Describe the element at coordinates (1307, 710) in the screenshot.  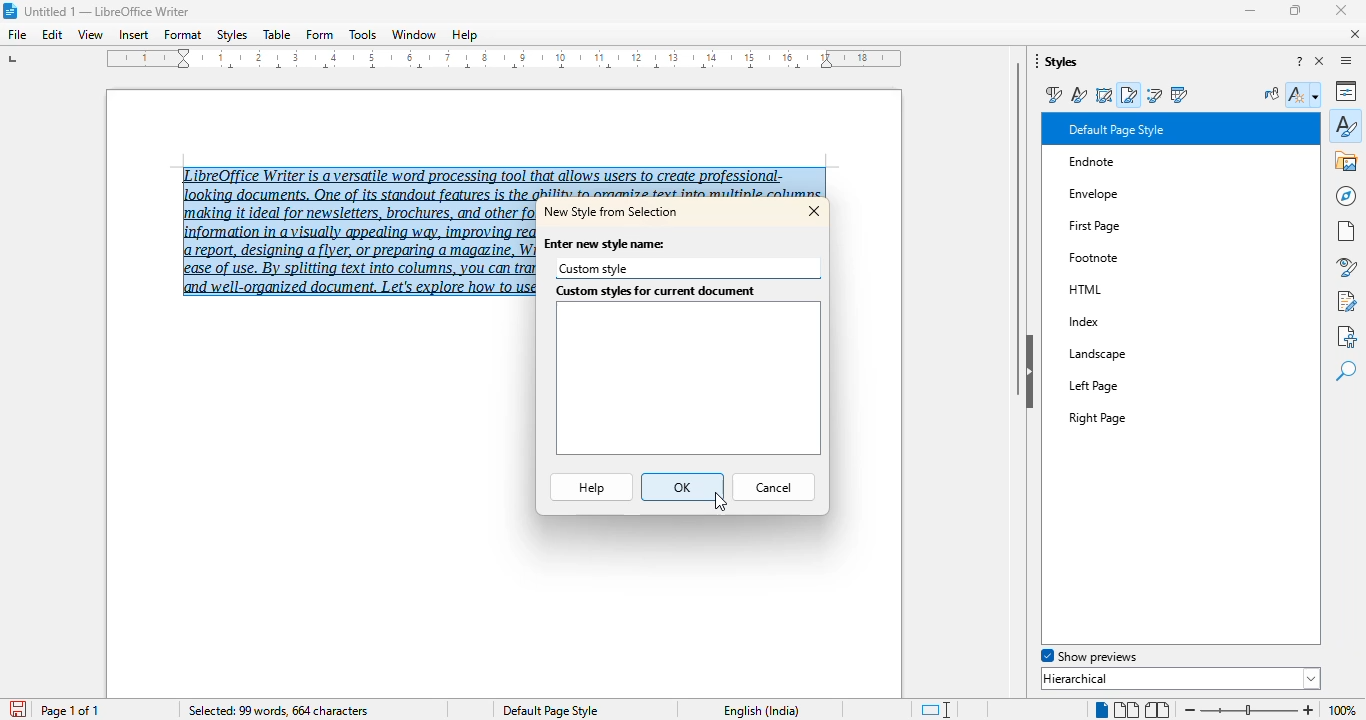
I see `zoom in` at that location.